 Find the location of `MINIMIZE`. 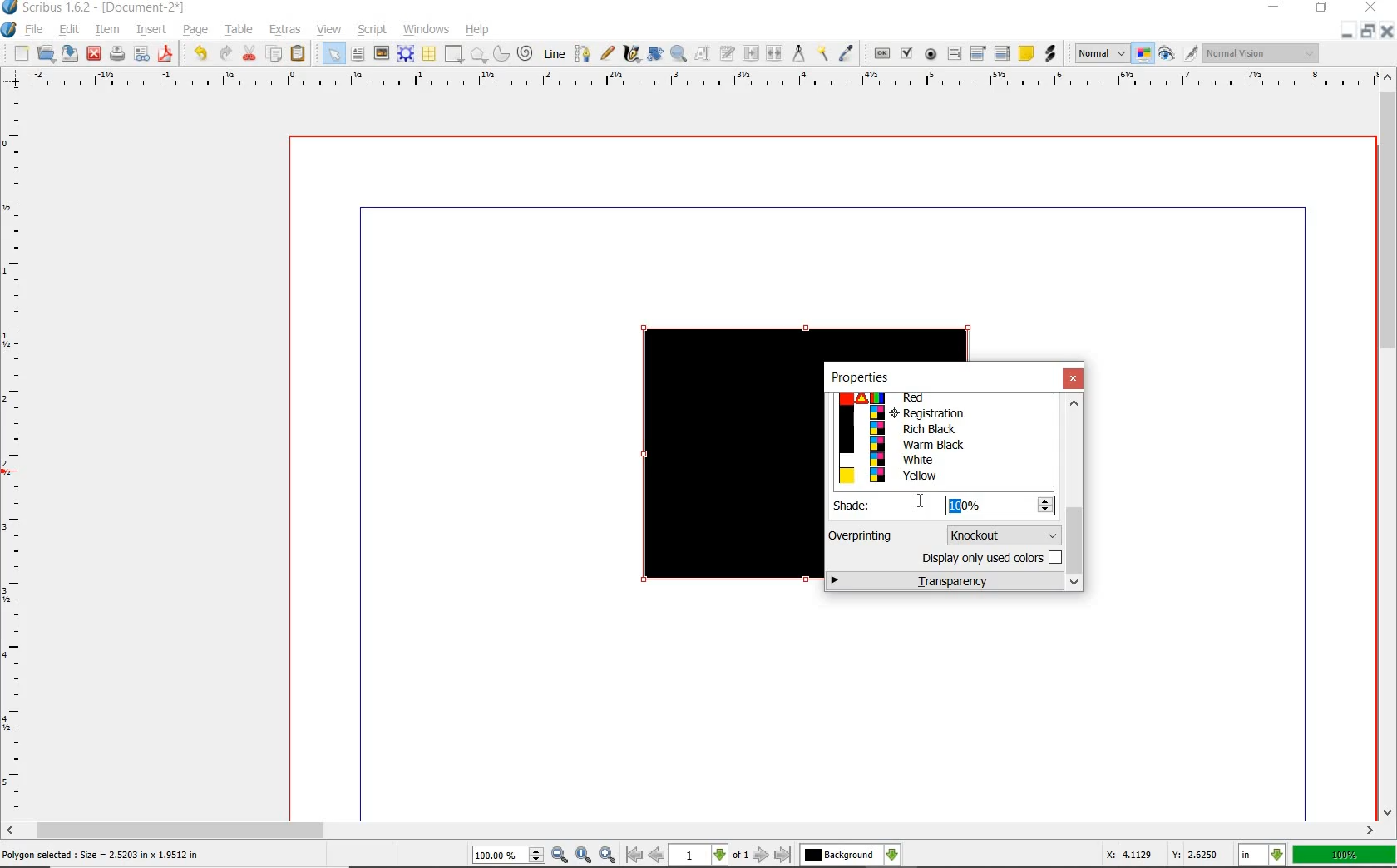

MINIMIZE is located at coordinates (1345, 36).